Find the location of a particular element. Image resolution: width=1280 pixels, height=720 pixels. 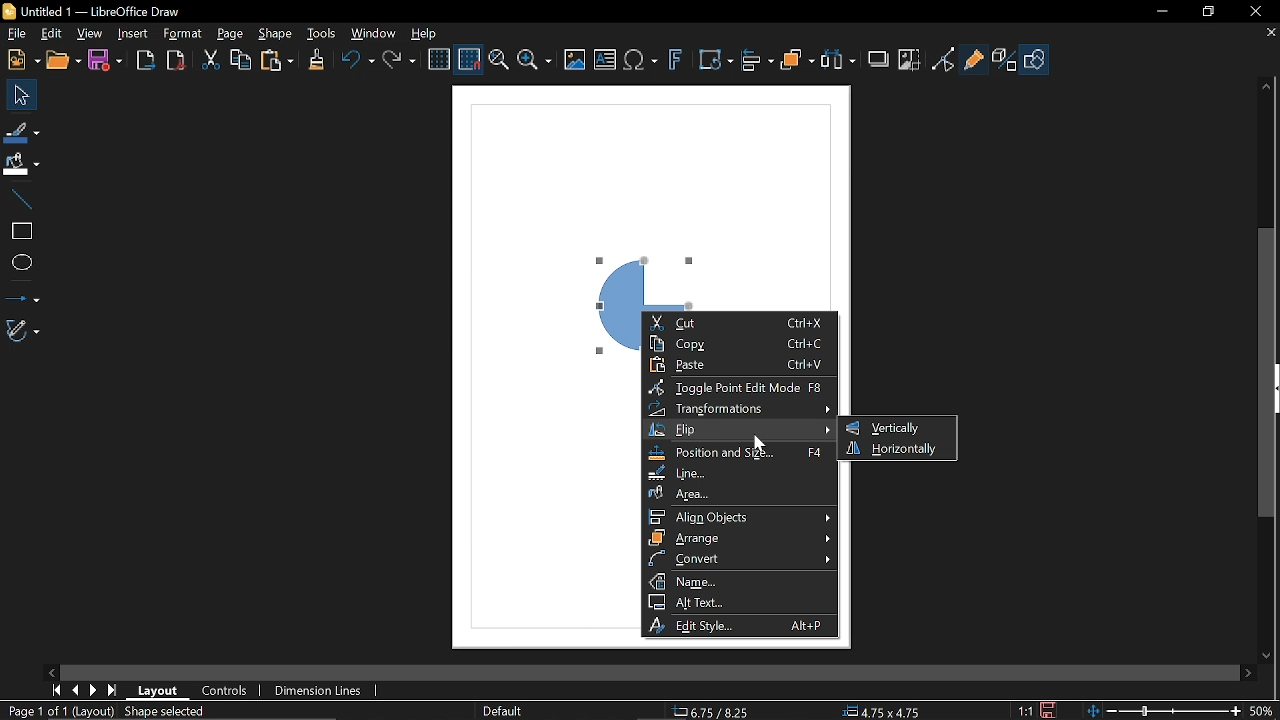

Arrange is located at coordinates (740, 538).